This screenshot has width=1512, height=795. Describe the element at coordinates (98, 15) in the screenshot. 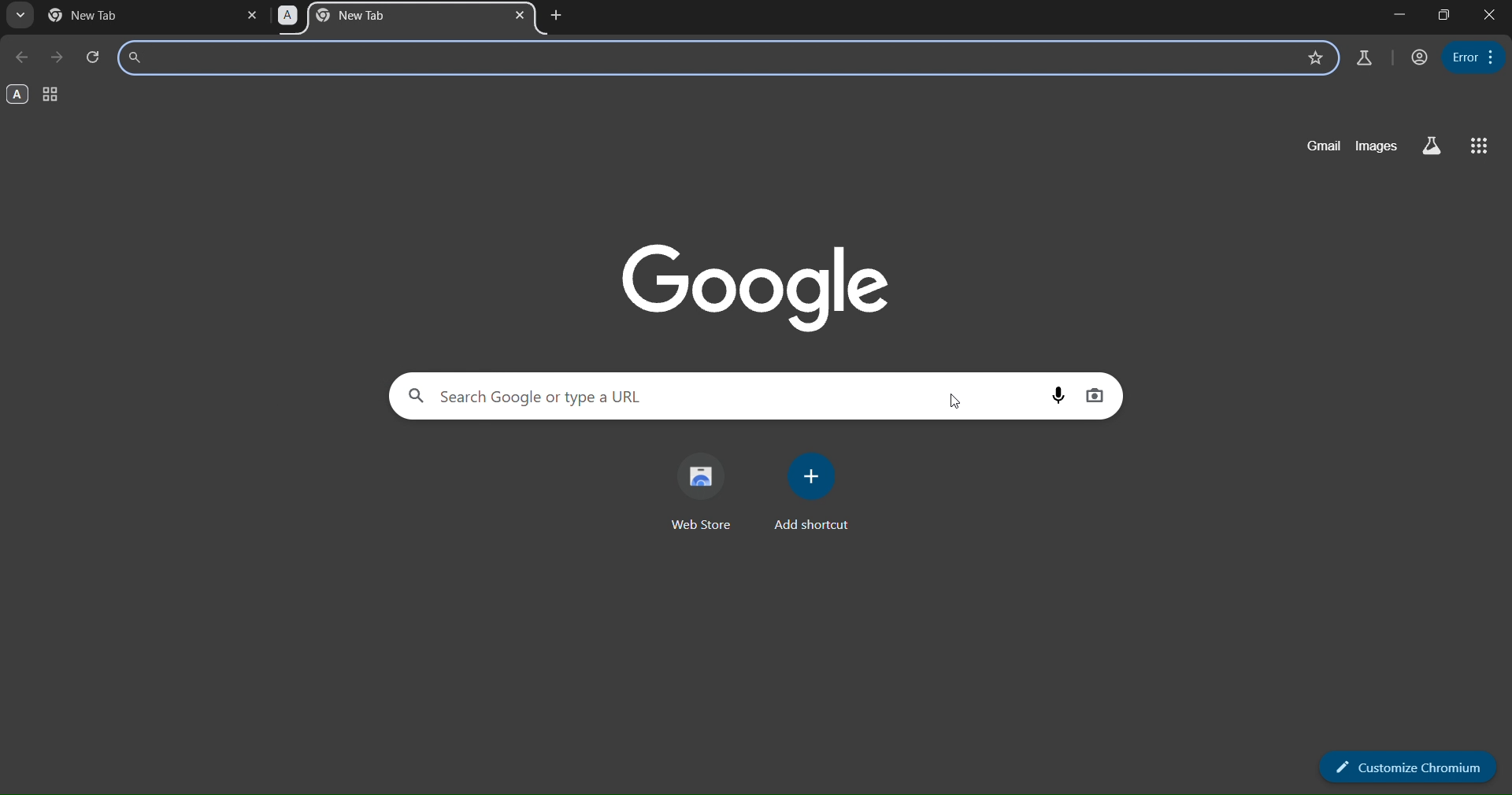

I see `current page` at that location.